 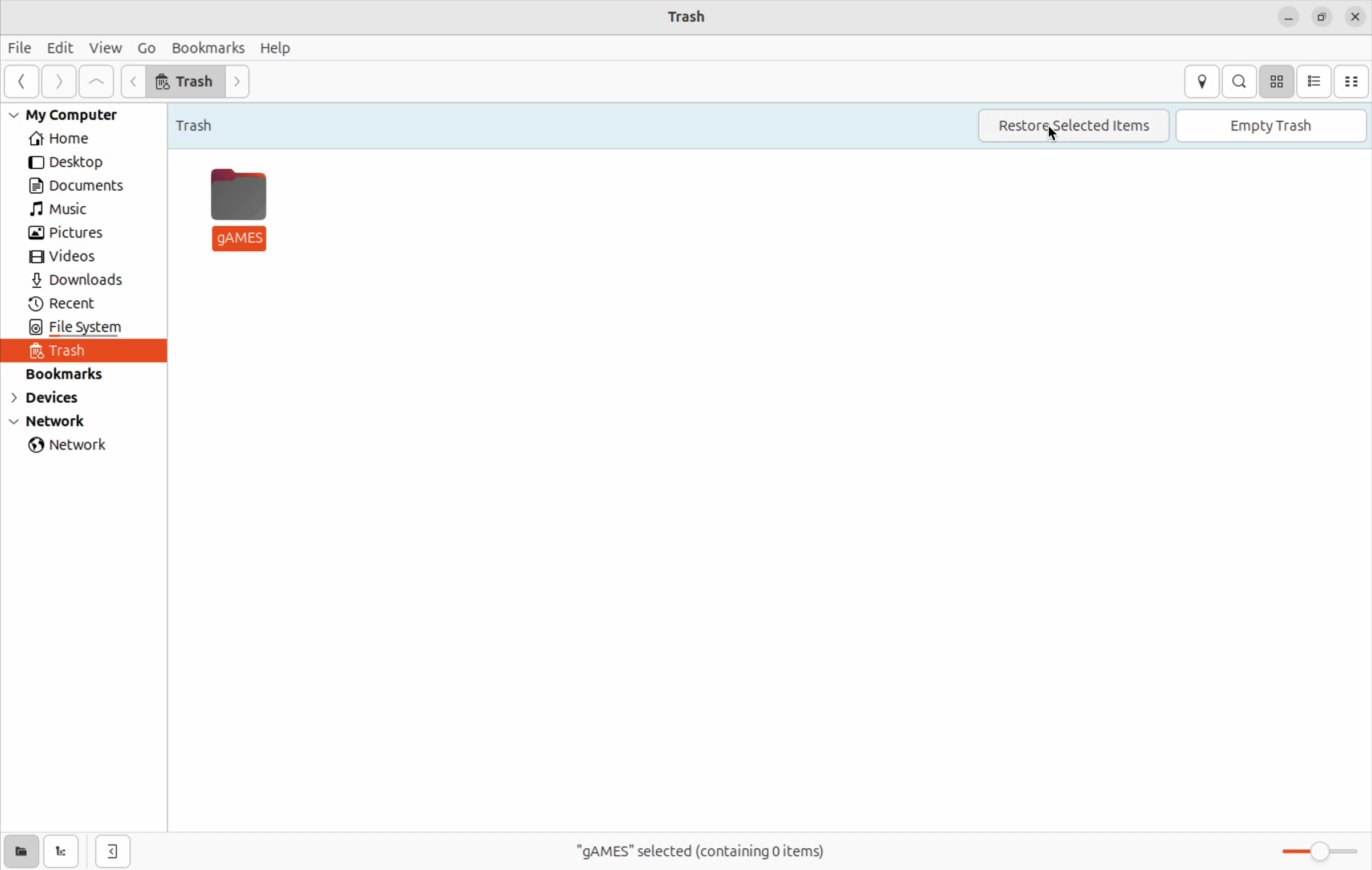 What do you see at coordinates (73, 163) in the screenshot?
I see `desktop` at bounding box center [73, 163].